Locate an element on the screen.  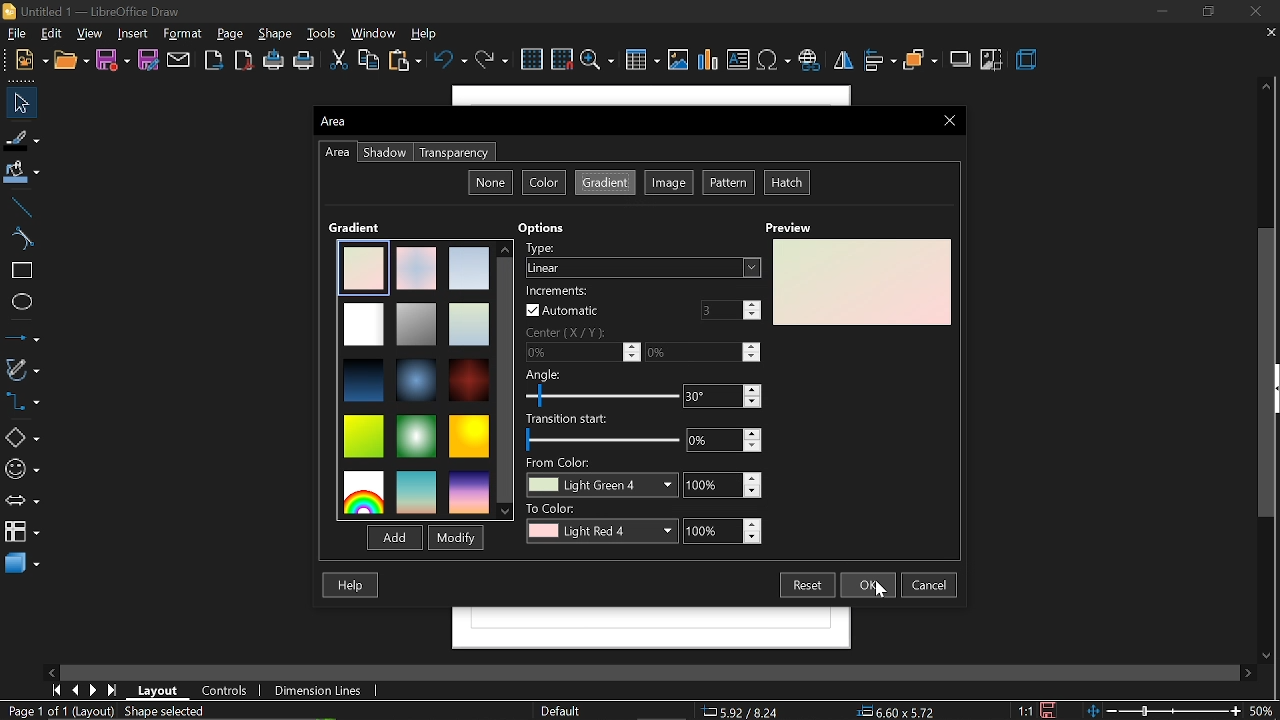
Gradients is located at coordinates (414, 378).